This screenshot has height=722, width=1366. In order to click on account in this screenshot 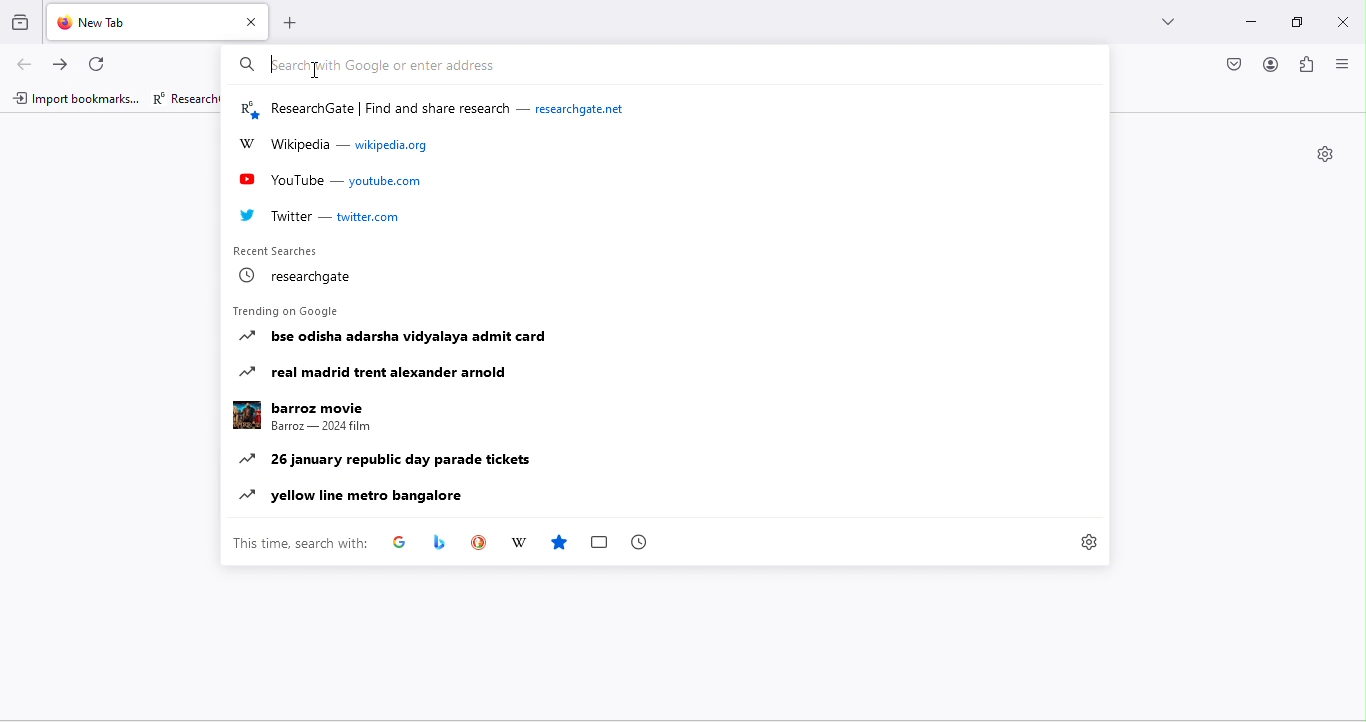, I will do `click(1267, 64)`.